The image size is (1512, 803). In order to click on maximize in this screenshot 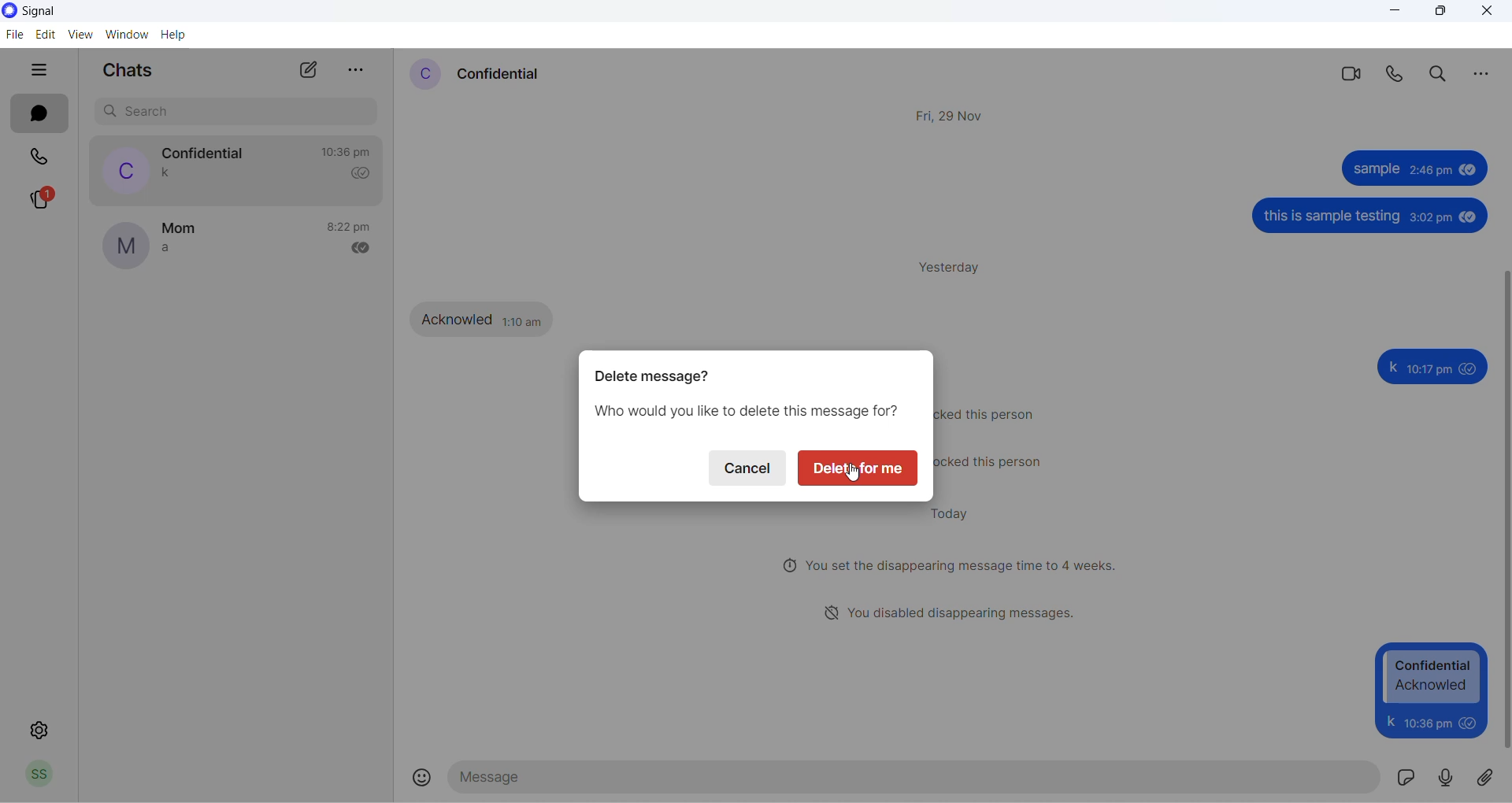, I will do `click(1440, 12)`.